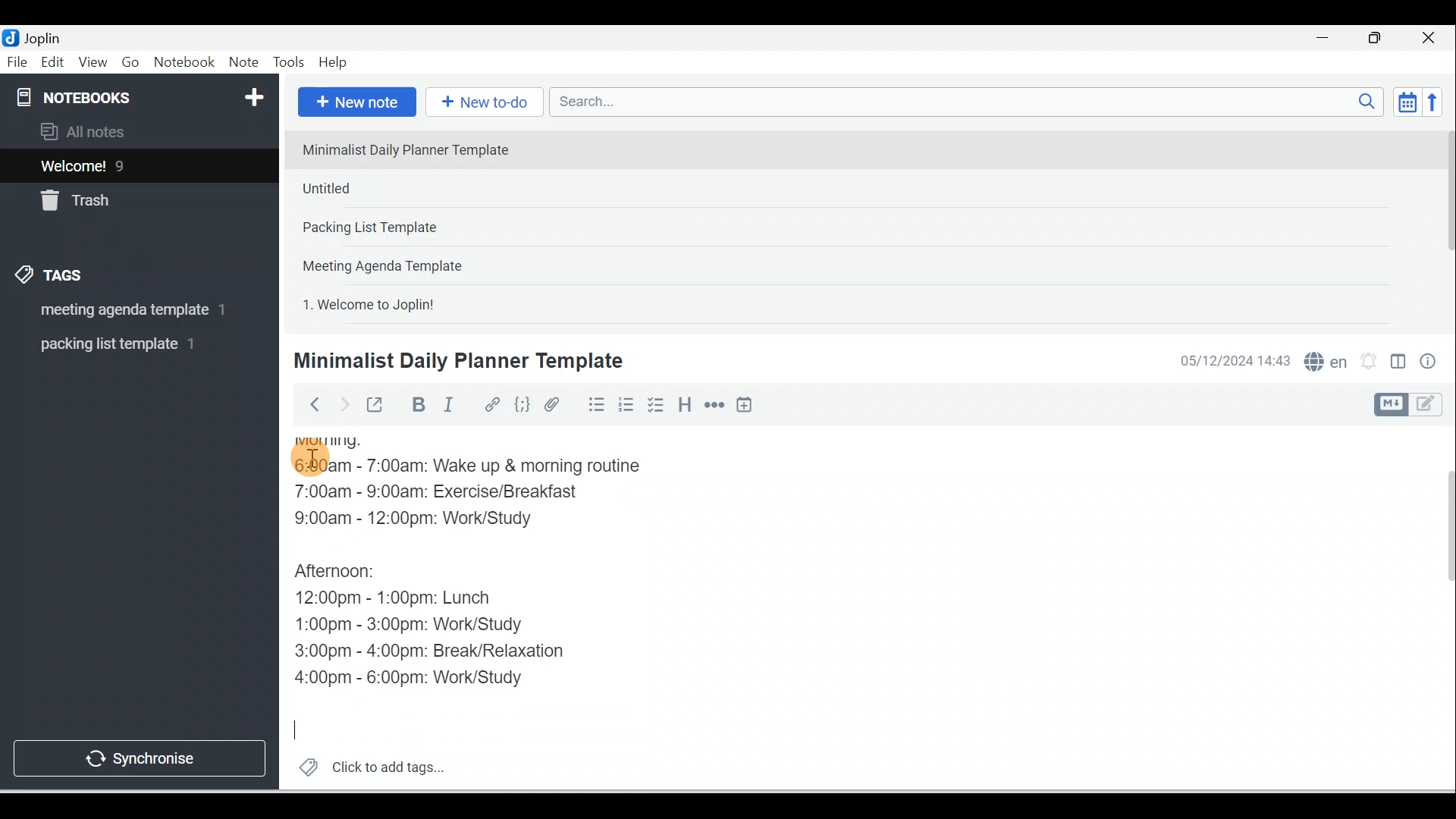 This screenshot has width=1456, height=819. I want to click on Scroll bar, so click(1444, 224).